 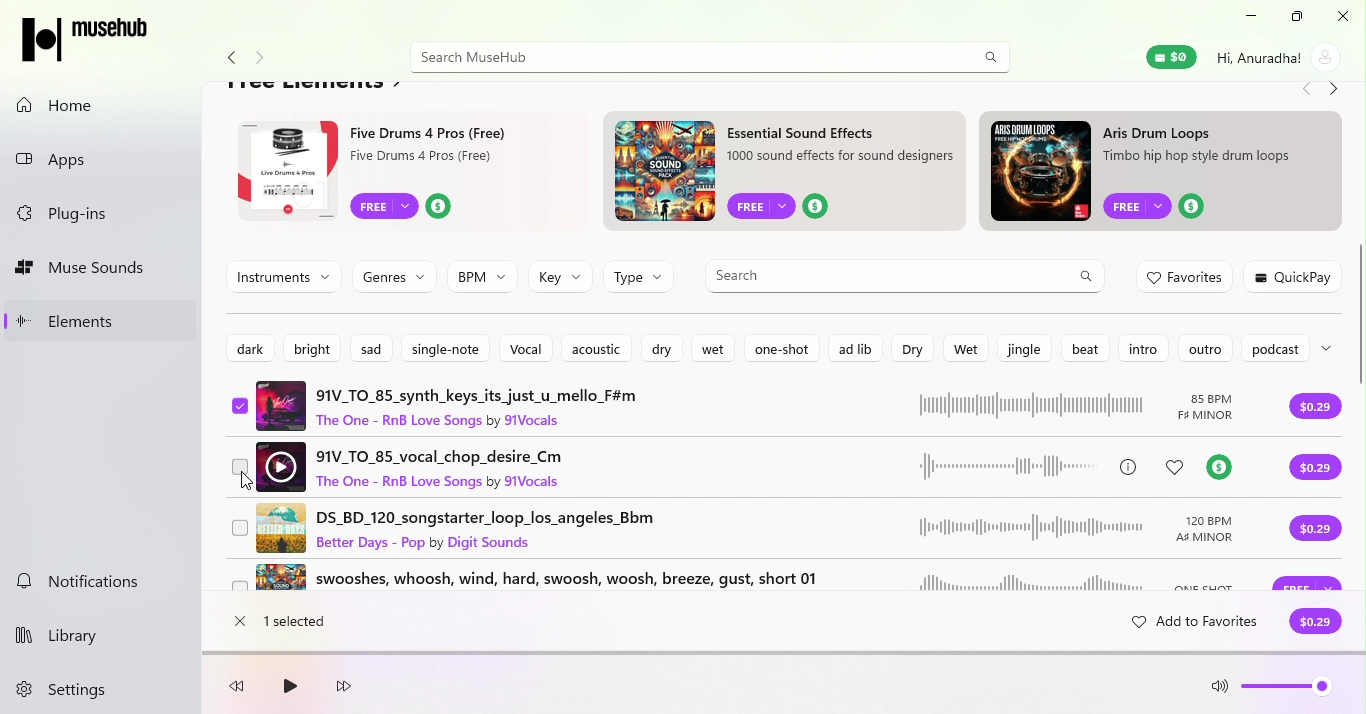 What do you see at coordinates (240, 409) in the screenshot?
I see `Select music` at bounding box center [240, 409].